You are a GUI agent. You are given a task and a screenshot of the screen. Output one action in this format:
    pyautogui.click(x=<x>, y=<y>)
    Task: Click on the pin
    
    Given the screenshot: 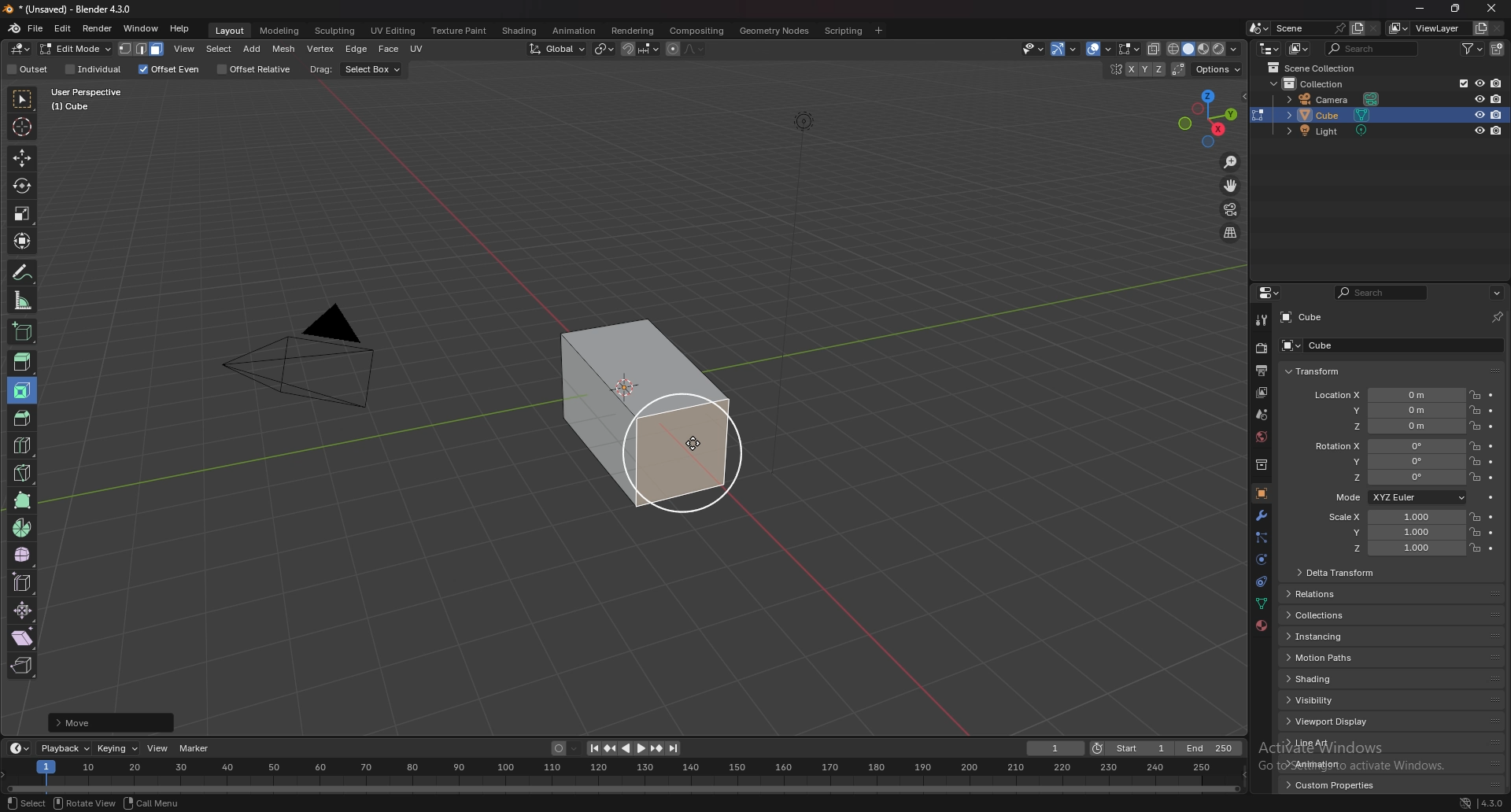 What is the action you would take?
    pyautogui.click(x=1498, y=317)
    